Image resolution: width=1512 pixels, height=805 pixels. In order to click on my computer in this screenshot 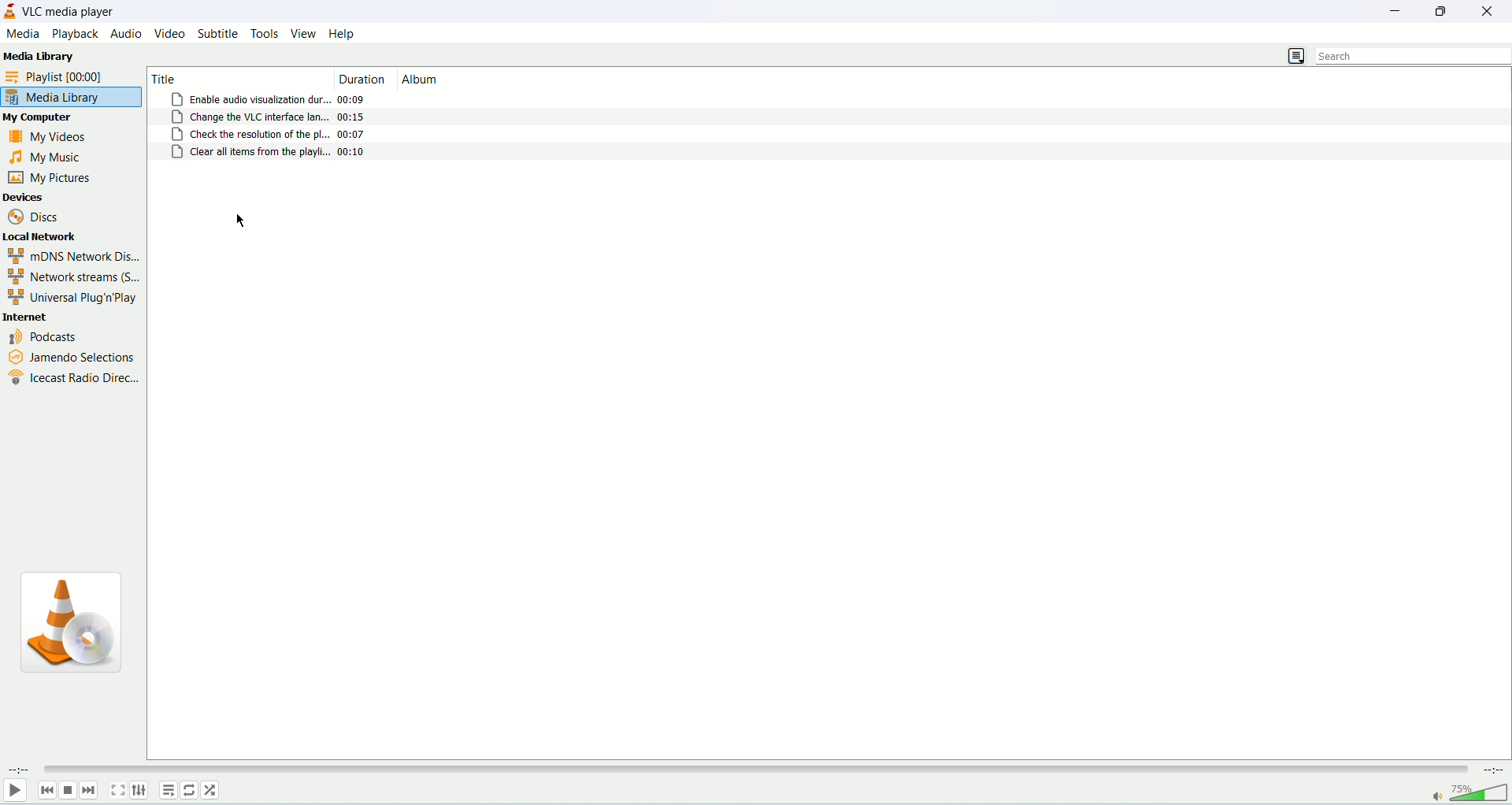, I will do `click(42, 118)`.